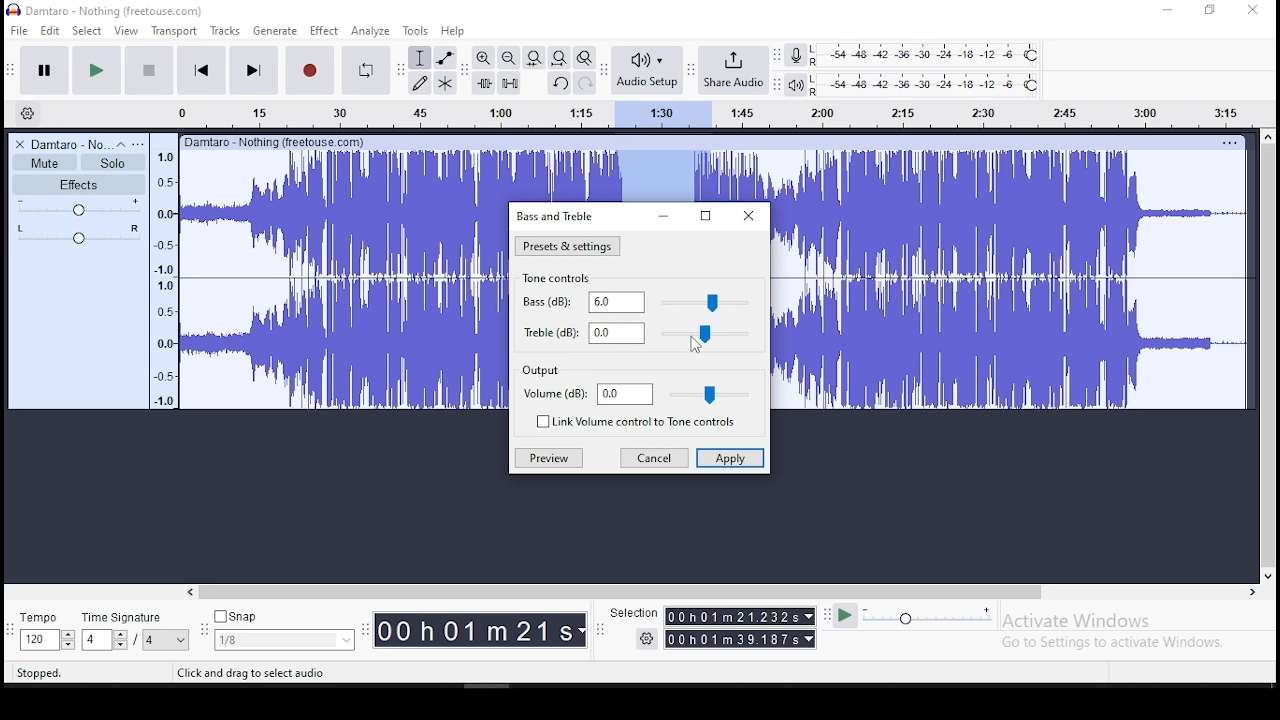  Describe the element at coordinates (646, 68) in the screenshot. I see `audio setup` at that location.